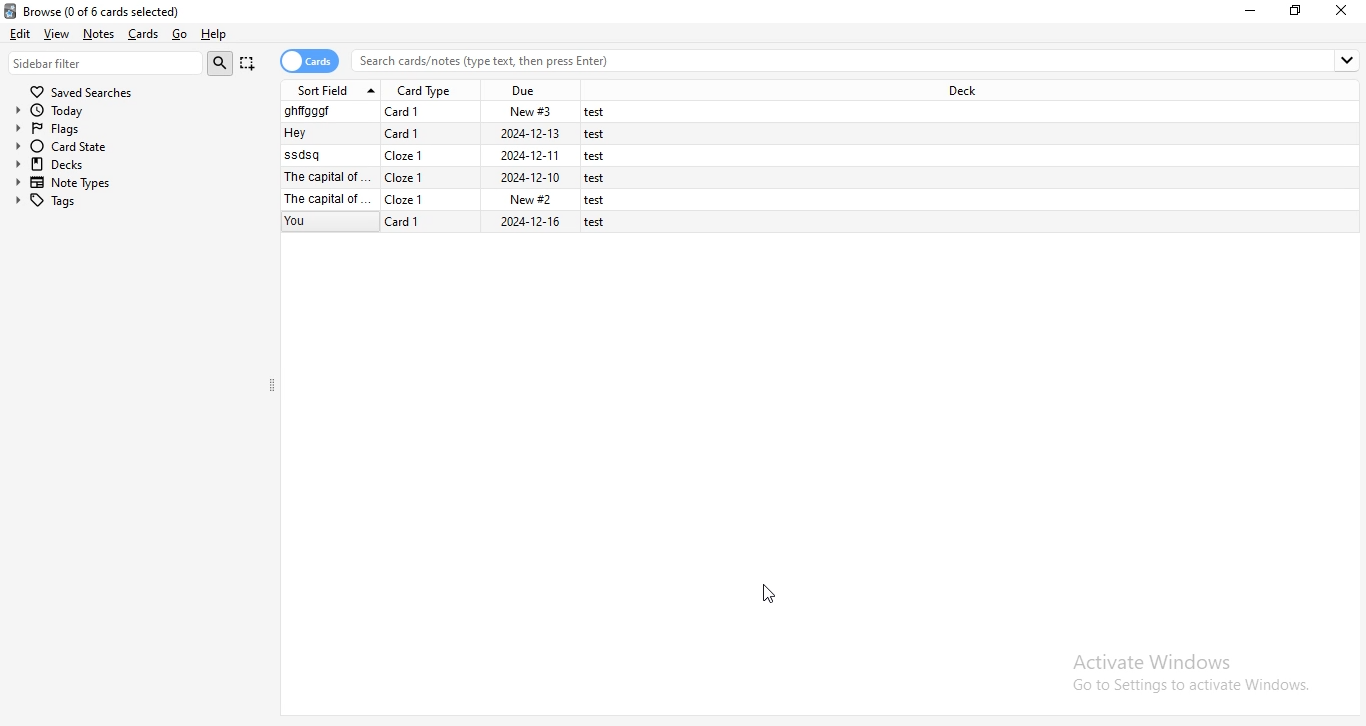 The width and height of the screenshot is (1366, 726). What do you see at coordinates (106, 63) in the screenshot?
I see `sidebar filter` at bounding box center [106, 63].